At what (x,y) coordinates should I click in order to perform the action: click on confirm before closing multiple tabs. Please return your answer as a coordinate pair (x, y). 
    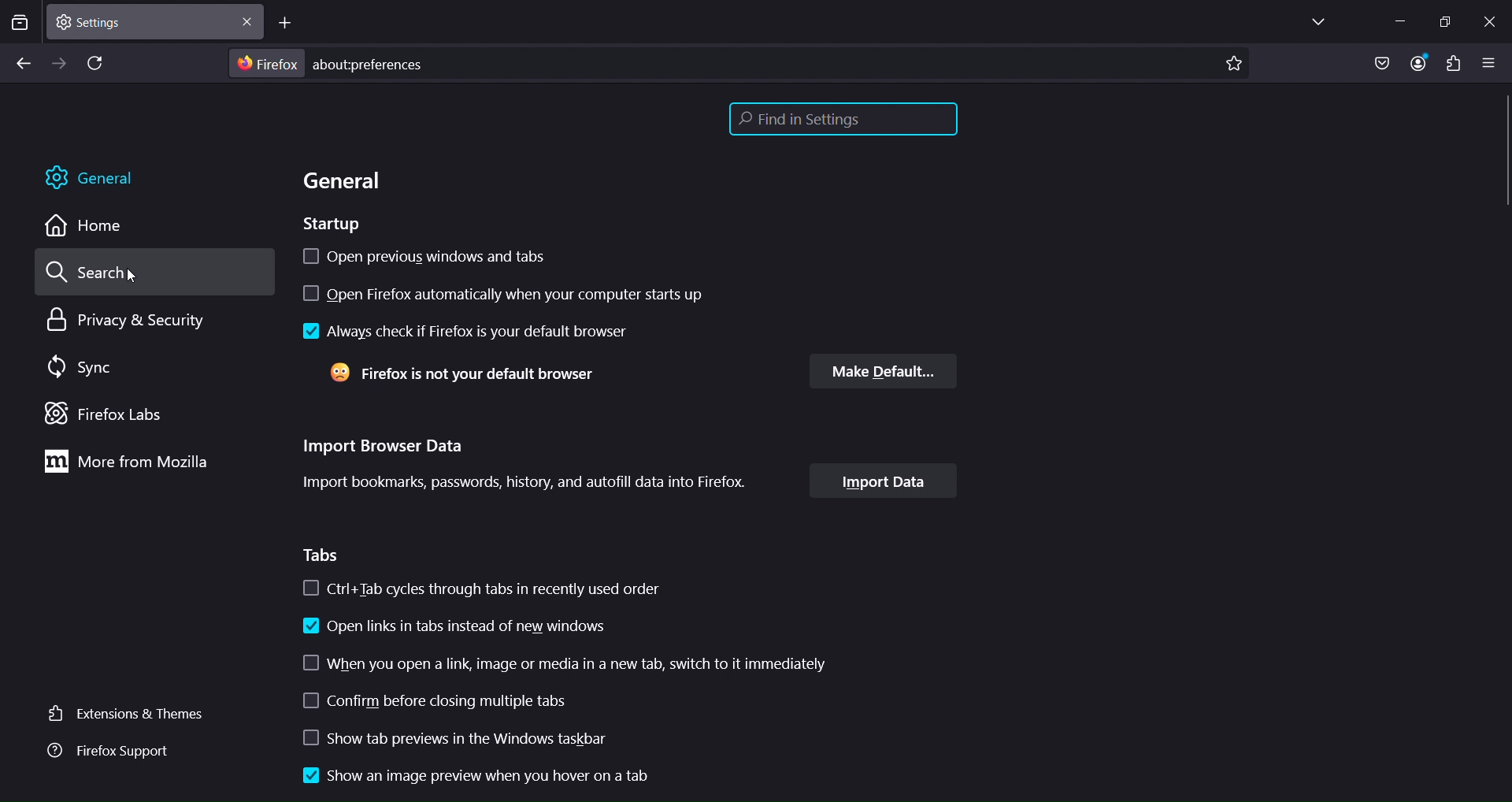
    Looking at the image, I should click on (436, 702).